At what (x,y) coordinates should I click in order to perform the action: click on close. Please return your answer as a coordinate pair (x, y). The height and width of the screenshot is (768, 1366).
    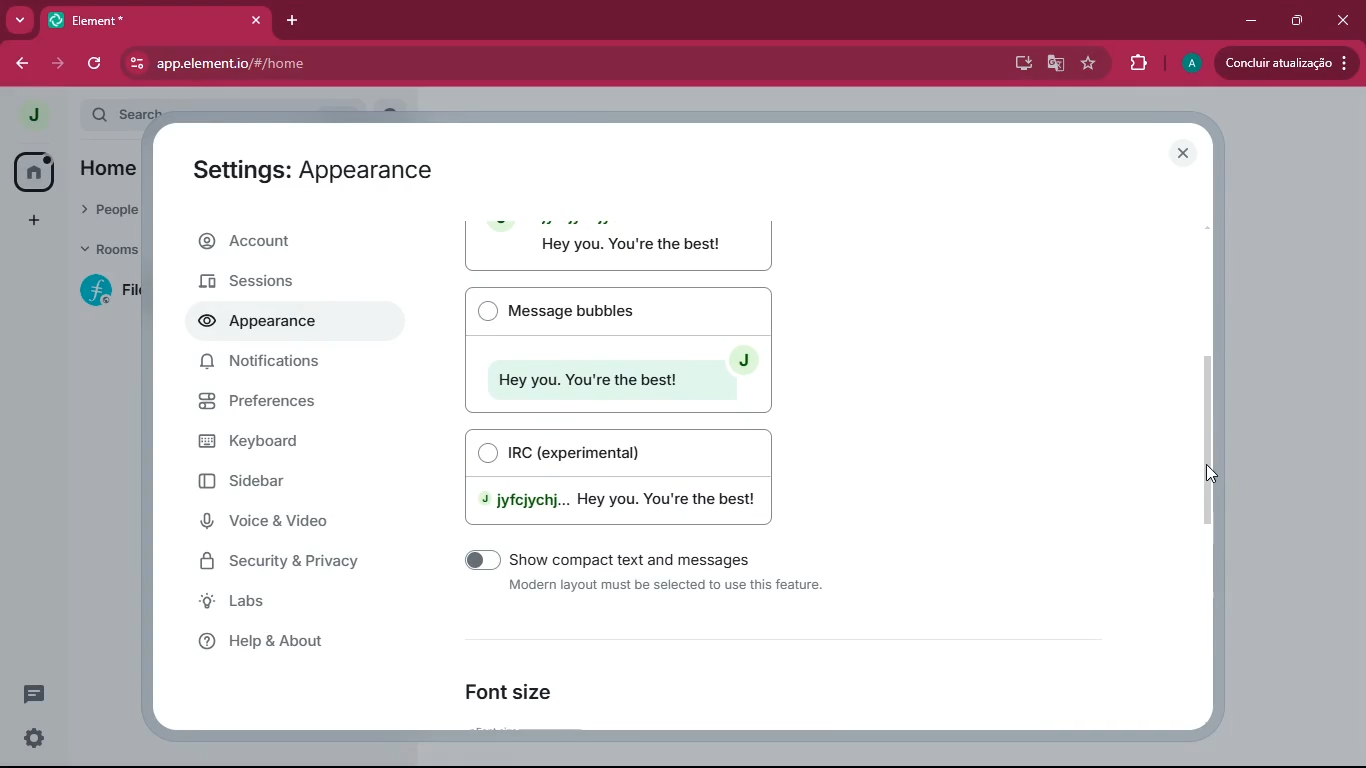
    Looking at the image, I should click on (255, 20).